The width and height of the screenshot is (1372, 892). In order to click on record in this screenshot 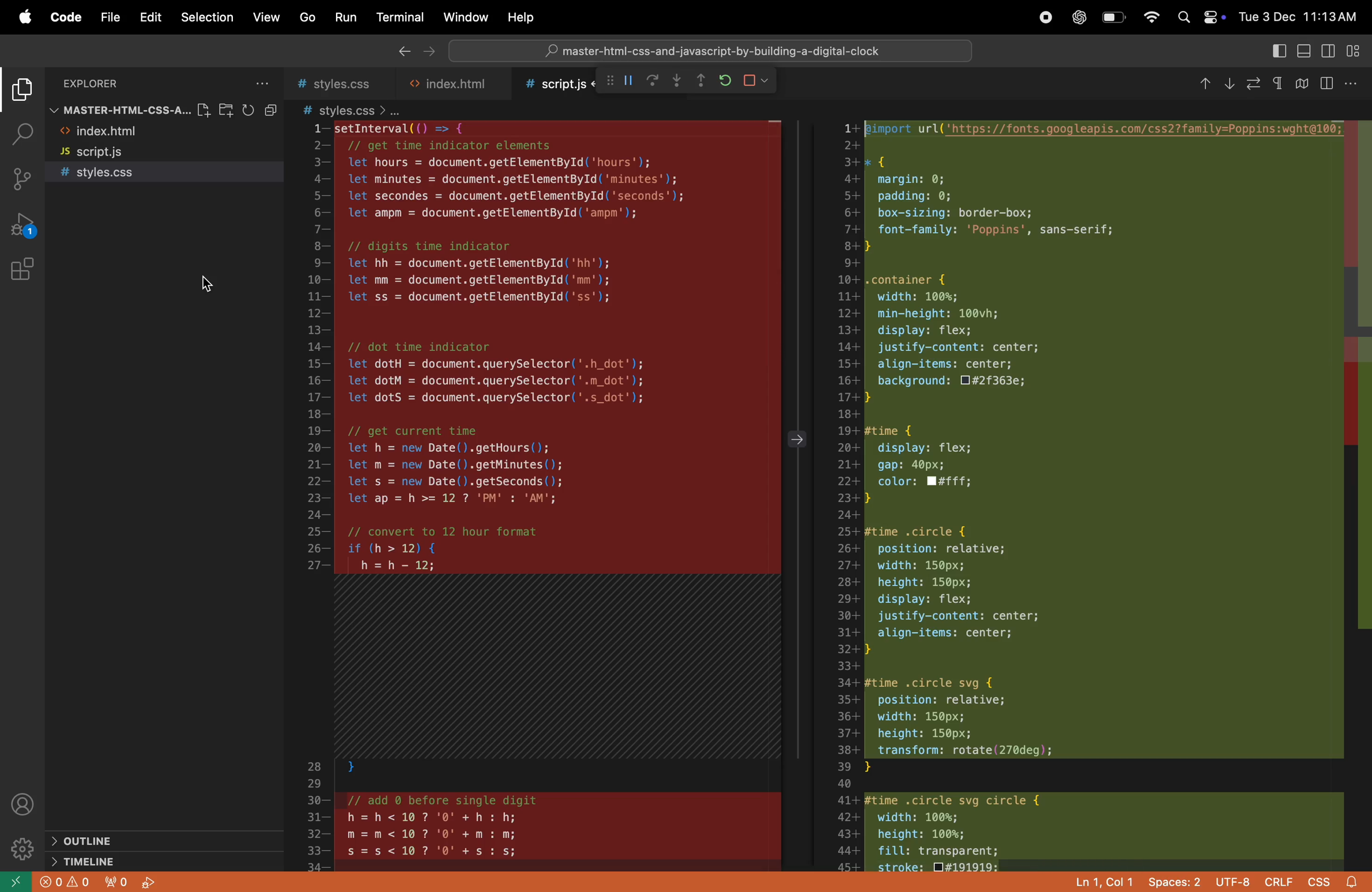, I will do `click(1044, 17)`.